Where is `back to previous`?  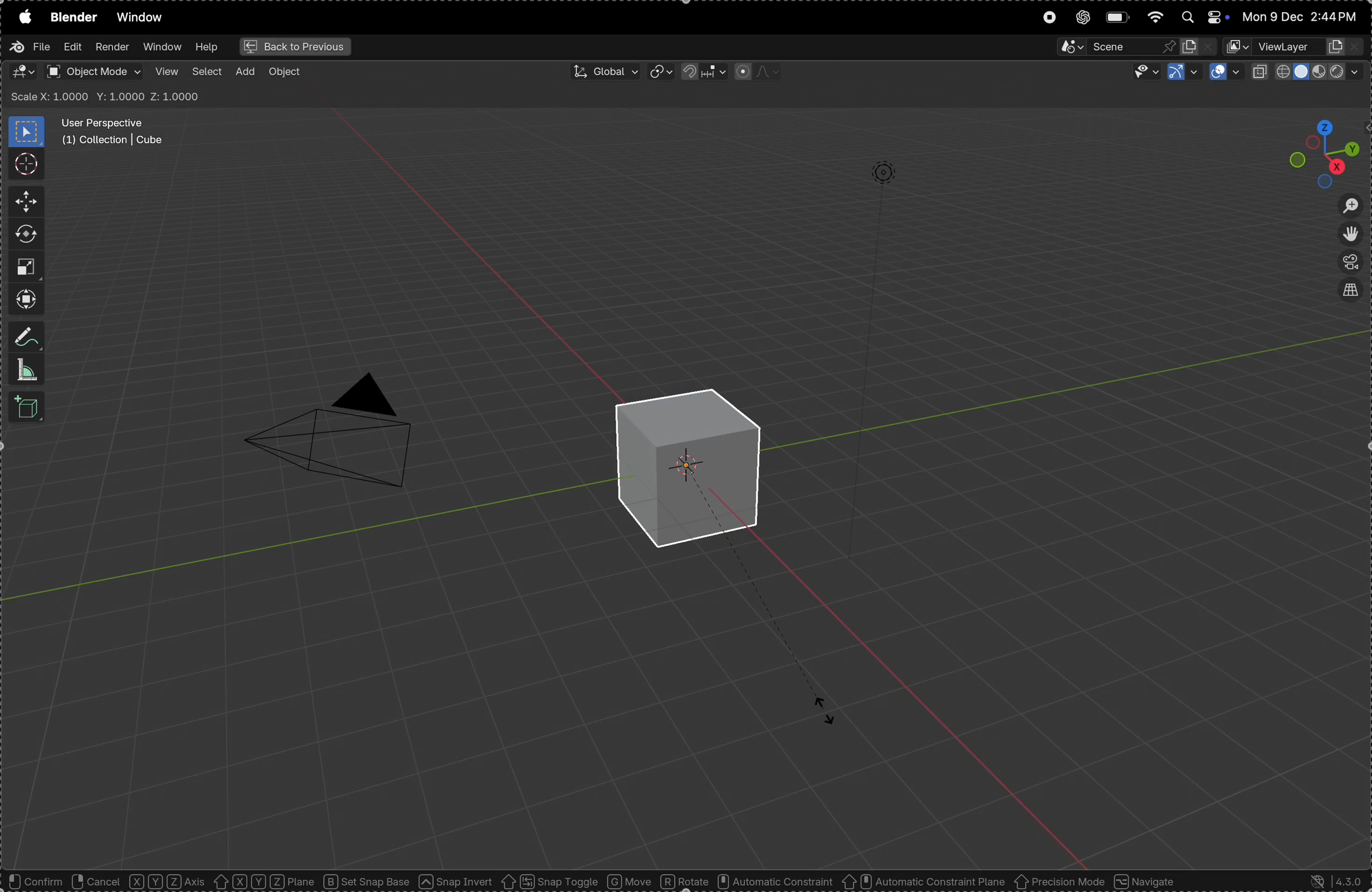
back to previous is located at coordinates (293, 47).